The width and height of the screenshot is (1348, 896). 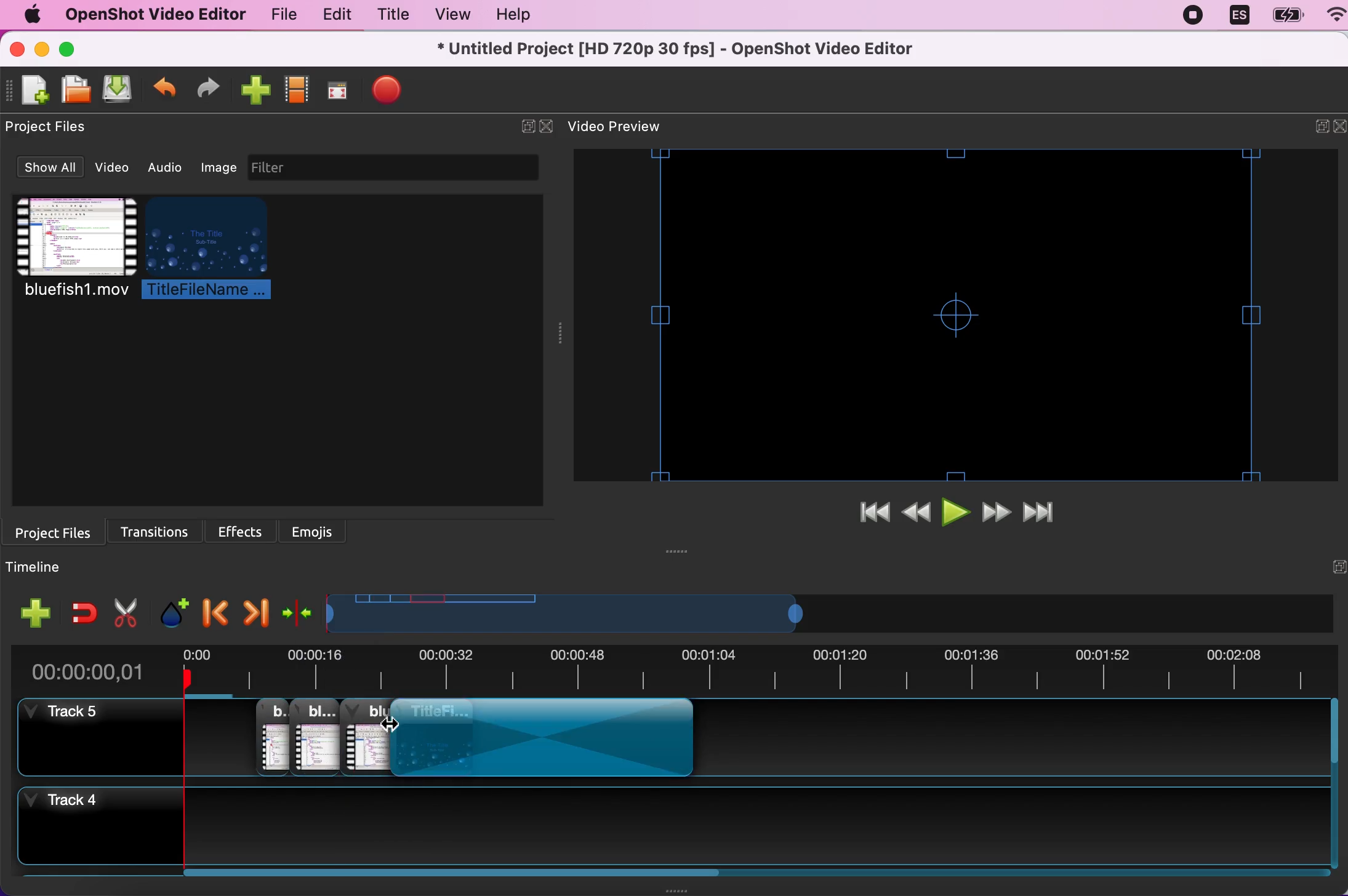 What do you see at coordinates (1332, 567) in the screenshot?
I see `hide/expand` at bounding box center [1332, 567].